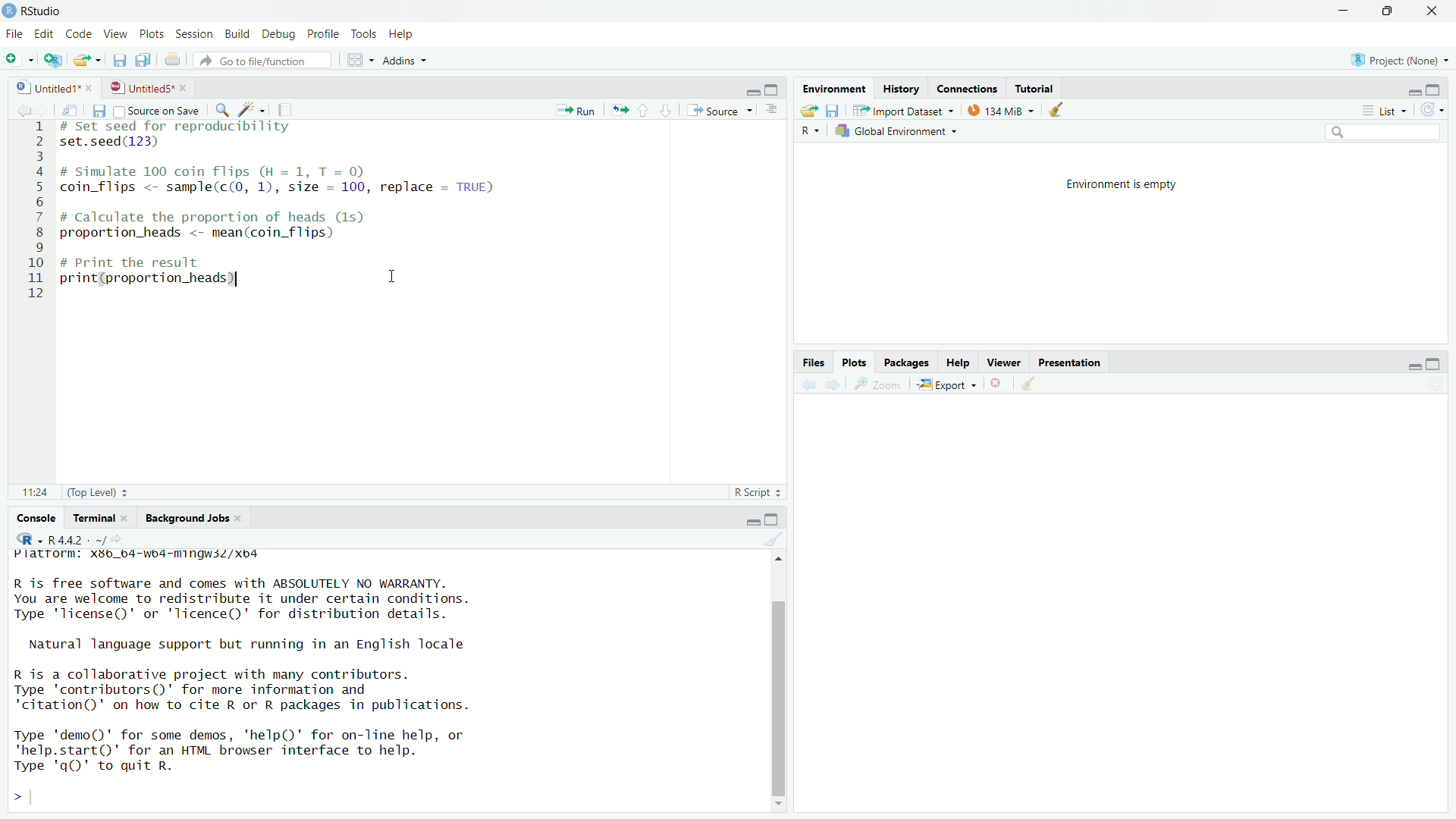 The height and width of the screenshot is (819, 1456). I want to click on # Simulate 100 coin Ttihips (H=1, T = 0), so click(235, 170).